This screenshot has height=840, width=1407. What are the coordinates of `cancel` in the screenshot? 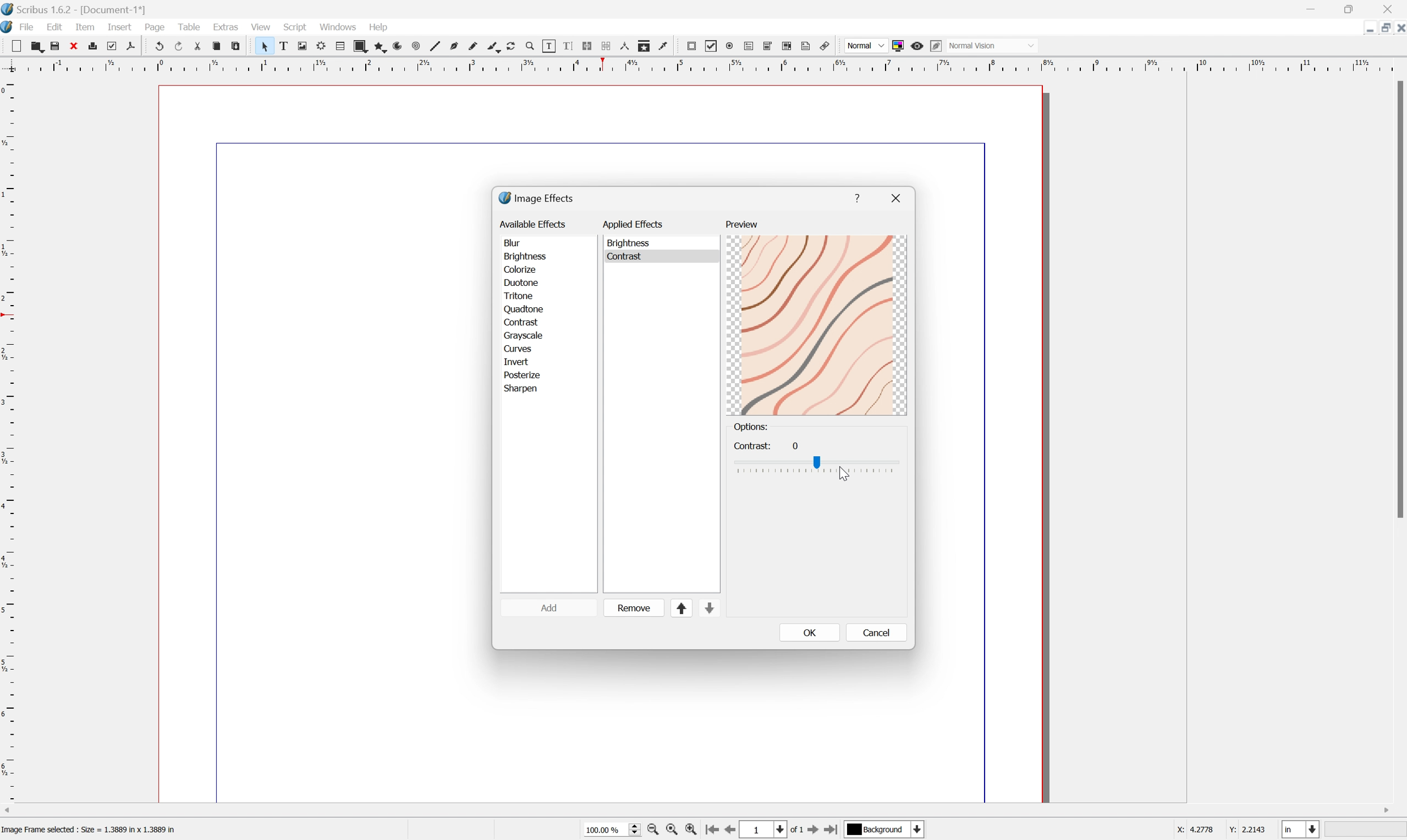 It's located at (875, 632).